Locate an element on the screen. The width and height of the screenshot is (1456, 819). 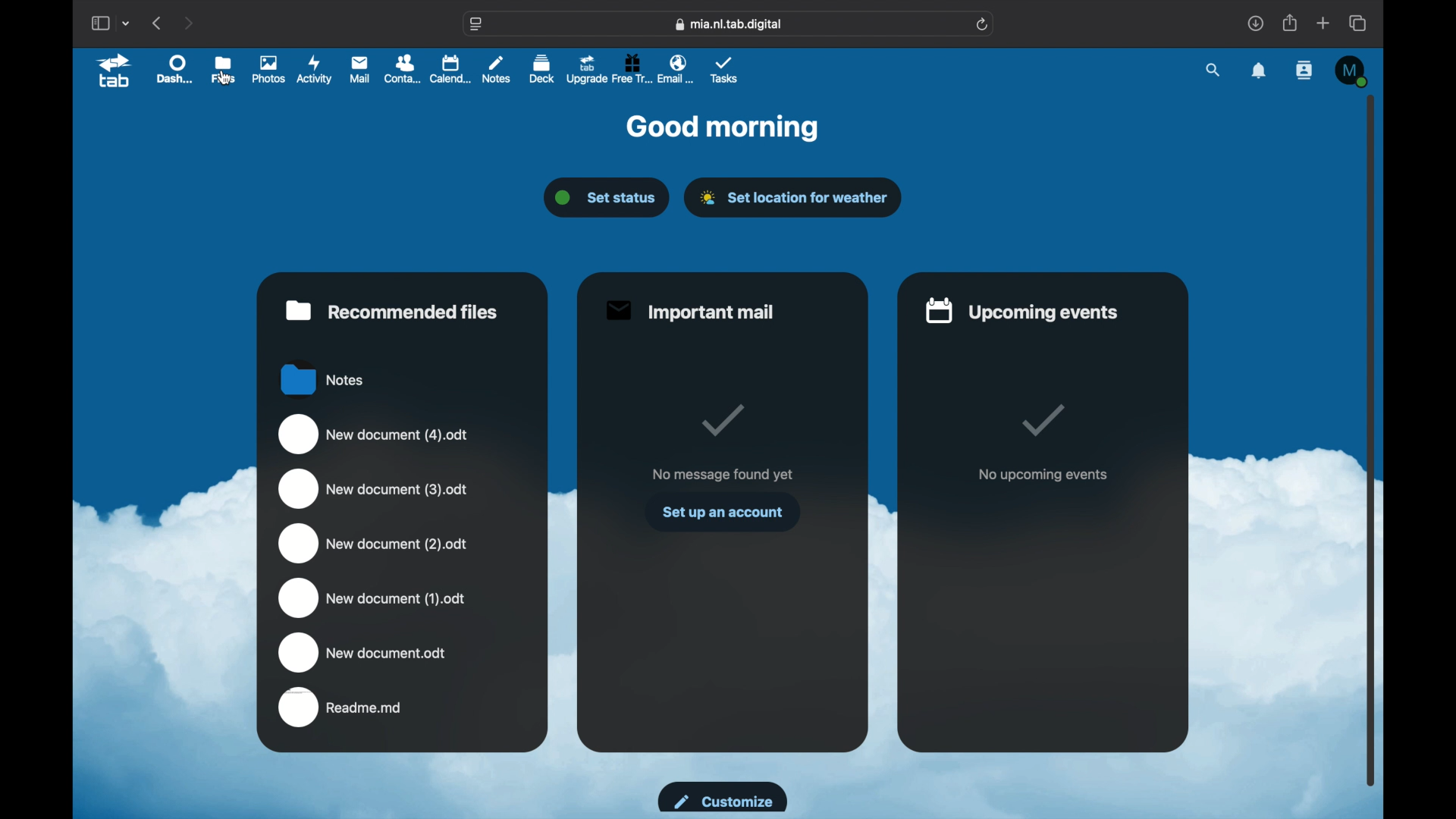
show sidebar is located at coordinates (99, 23).